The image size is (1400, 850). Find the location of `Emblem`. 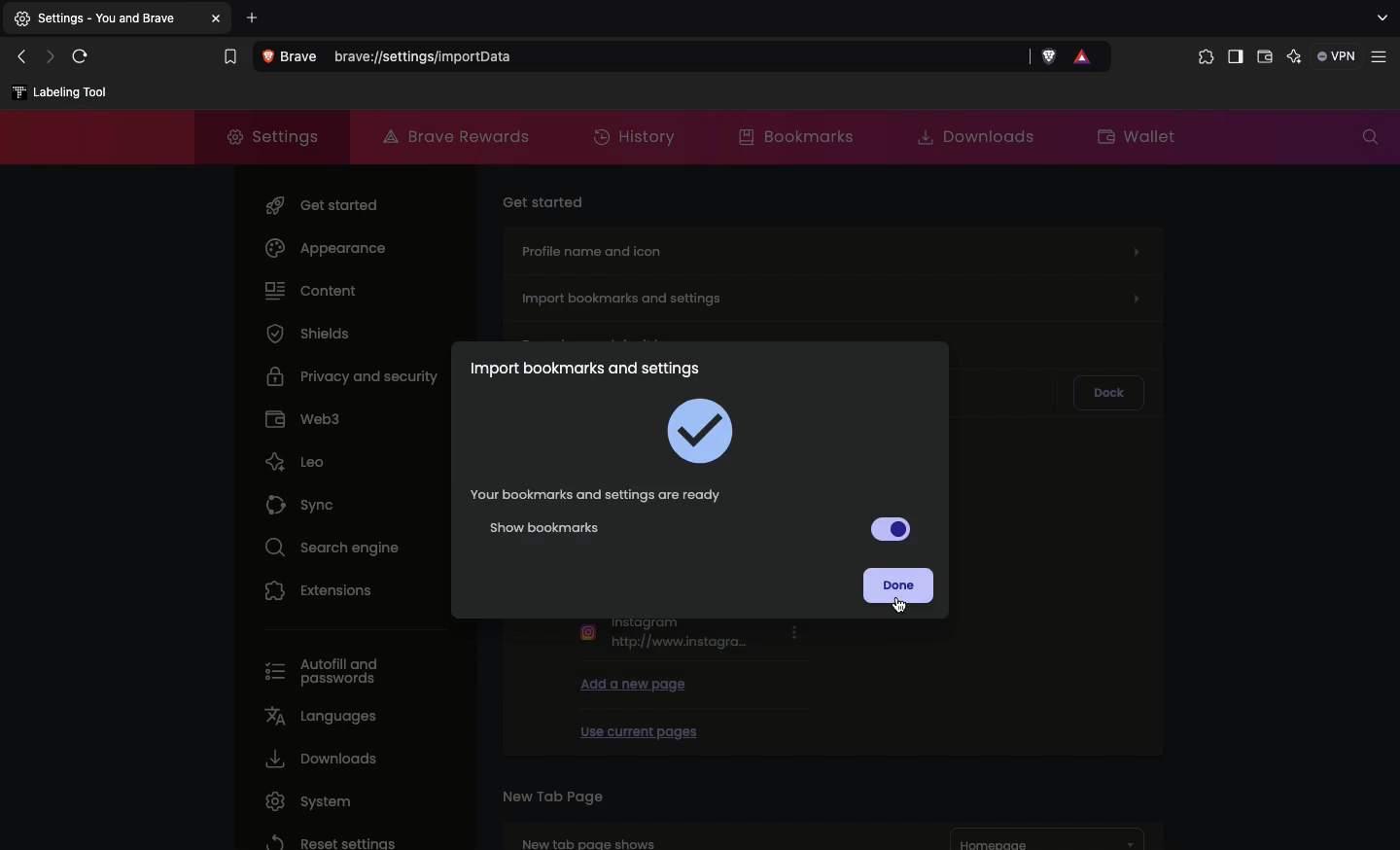

Emblem is located at coordinates (705, 432).